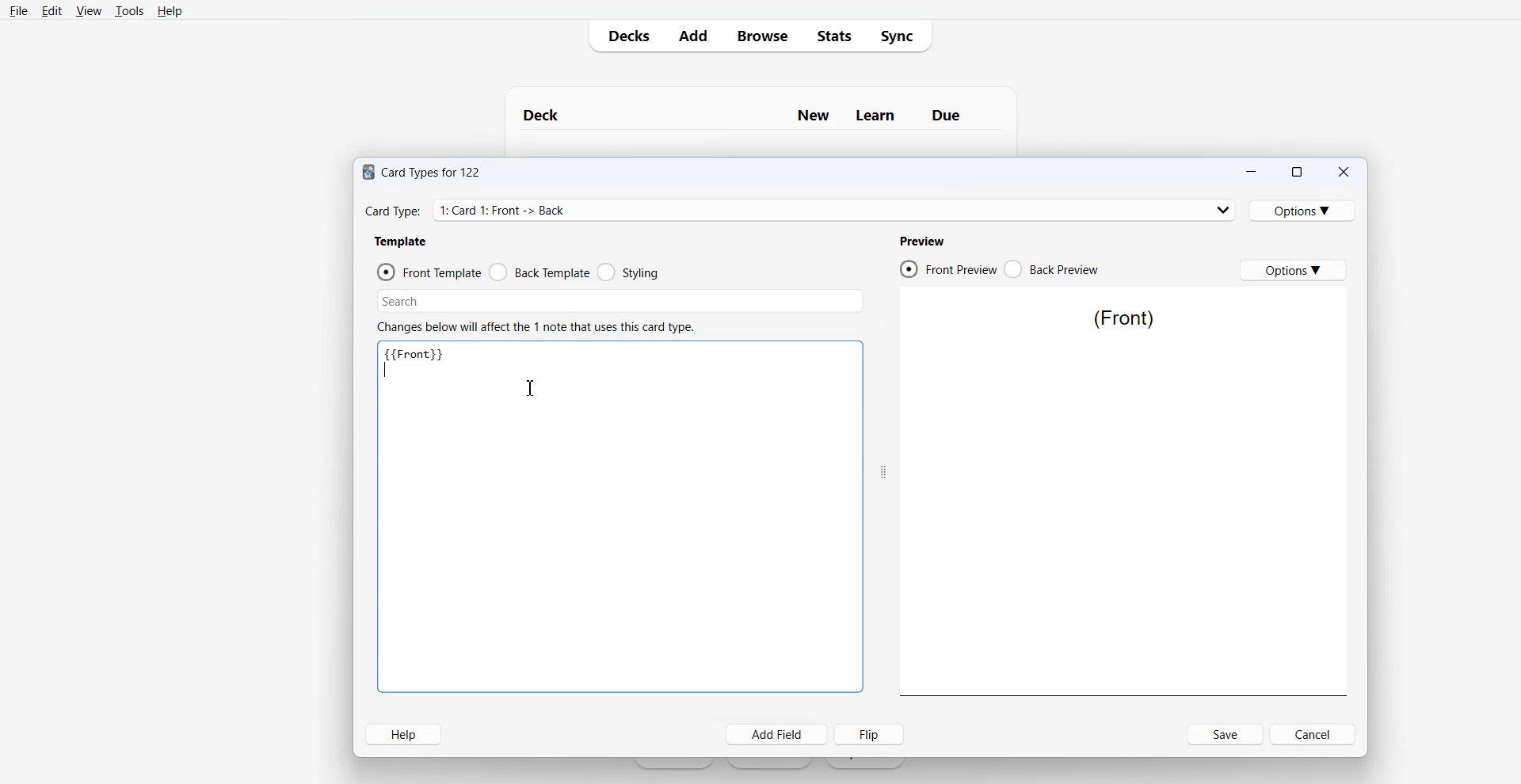 The height and width of the screenshot is (784, 1521). What do you see at coordinates (869, 734) in the screenshot?
I see `Flip` at bounding box center [869, 734].